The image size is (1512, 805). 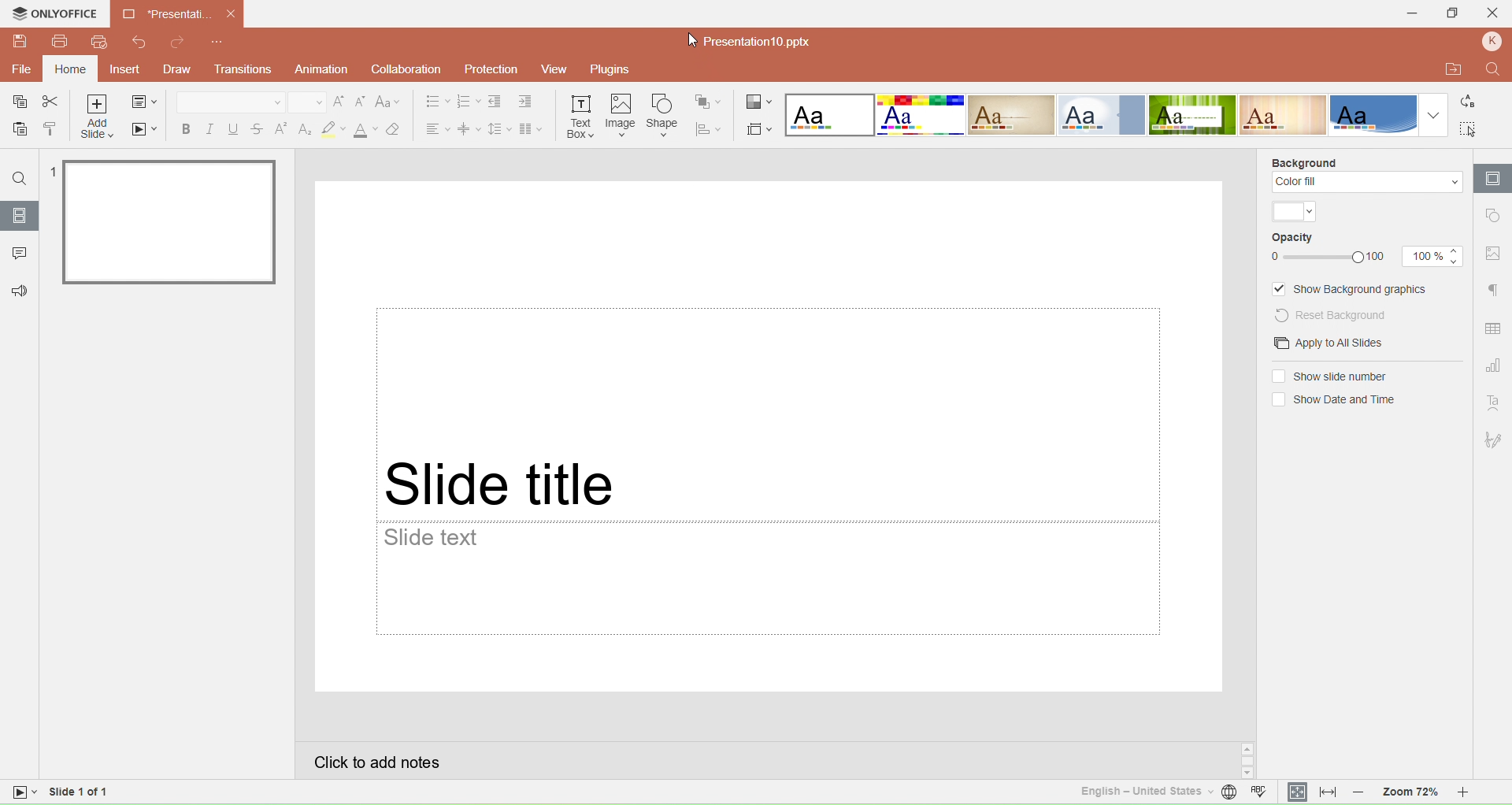 I want to click on 0, so click(x=1273, y=258).